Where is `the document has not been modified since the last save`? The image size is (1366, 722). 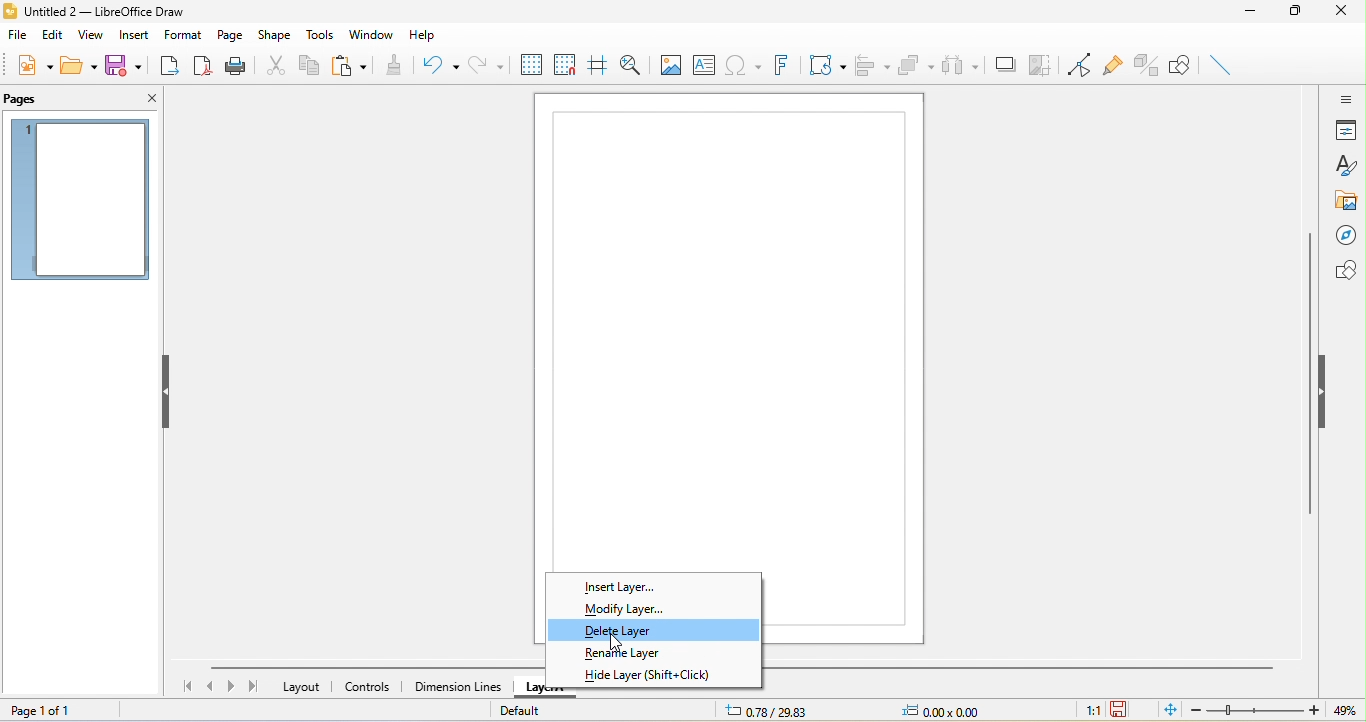 the document has not been modified since the last save is located at coordinates (1125, 711).